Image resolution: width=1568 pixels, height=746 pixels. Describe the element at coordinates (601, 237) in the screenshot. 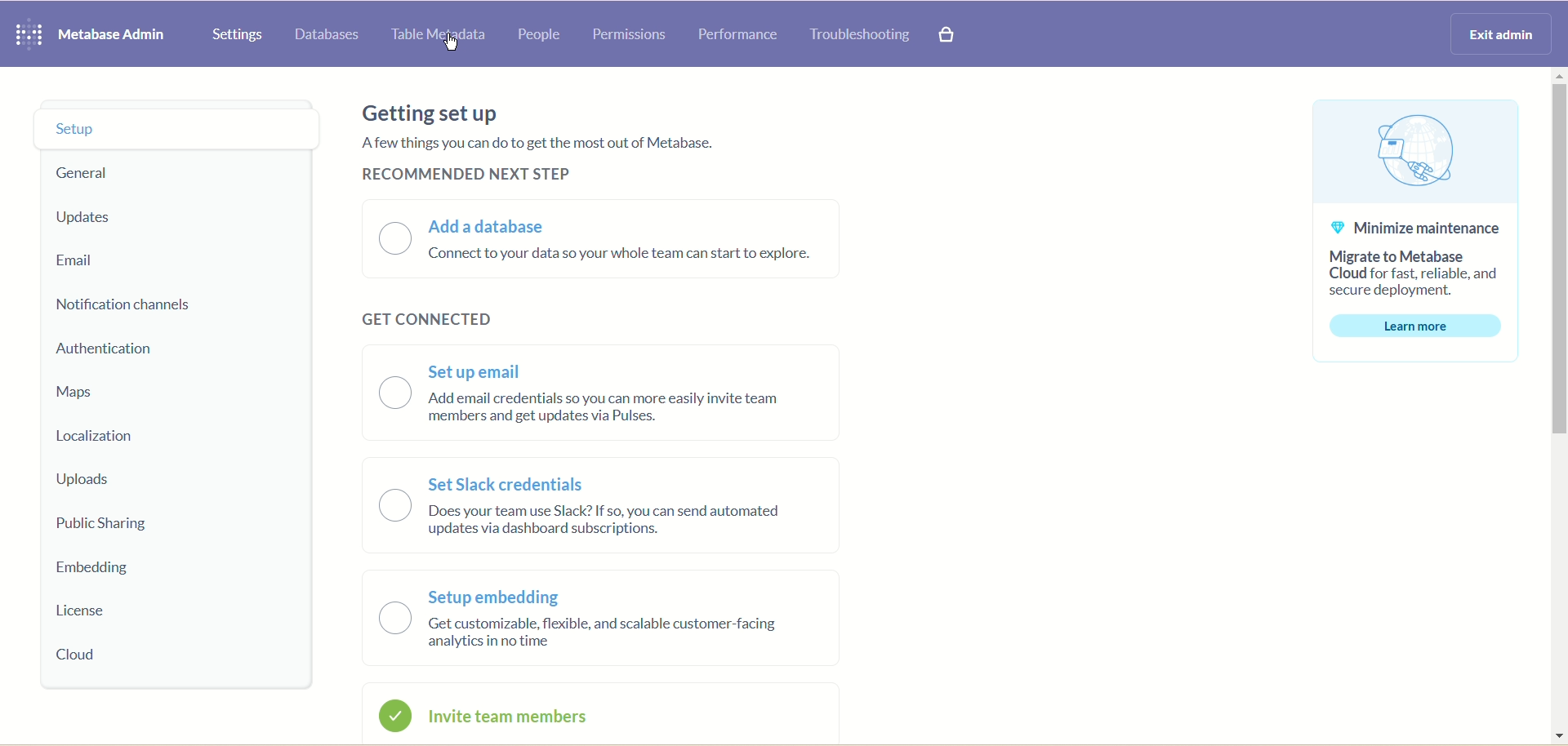

I see `Add a database Connect to your data so your whole team can start to explore.` at that location.